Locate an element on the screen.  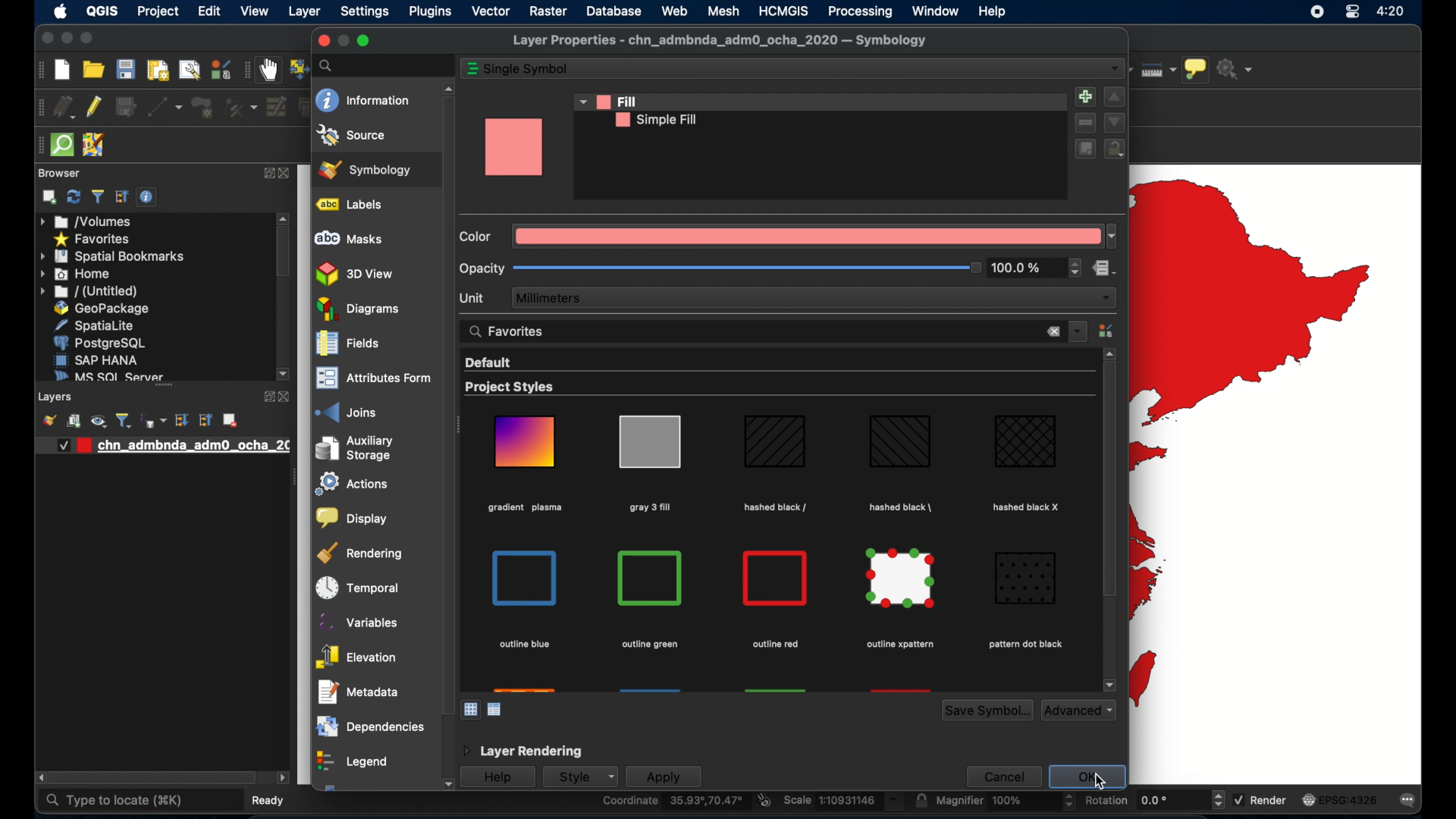
icon is located at coordinates (472, 69).